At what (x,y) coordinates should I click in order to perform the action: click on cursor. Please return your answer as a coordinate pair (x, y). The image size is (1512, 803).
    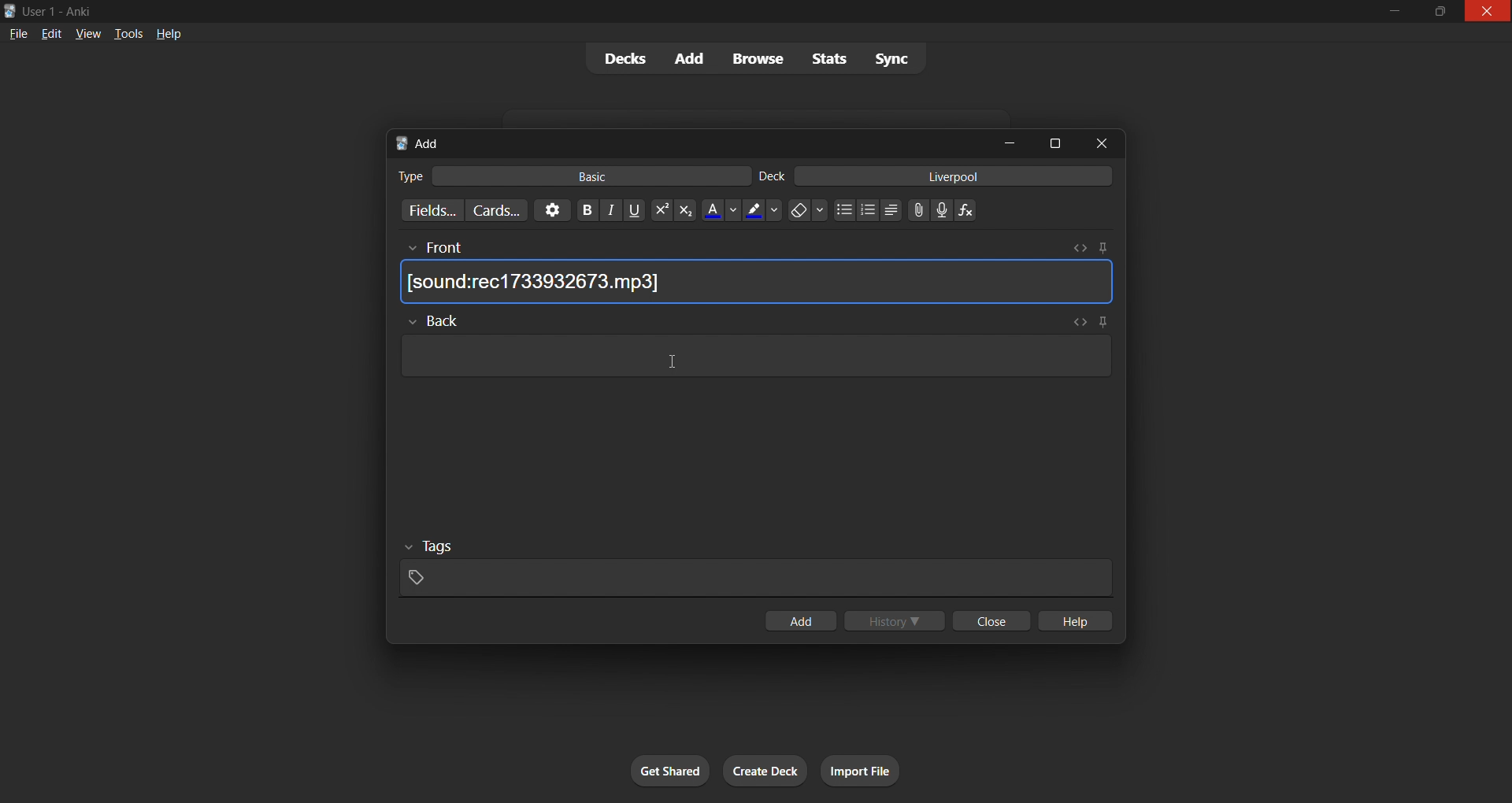
    Looking at the image, I should click on (669, 361).